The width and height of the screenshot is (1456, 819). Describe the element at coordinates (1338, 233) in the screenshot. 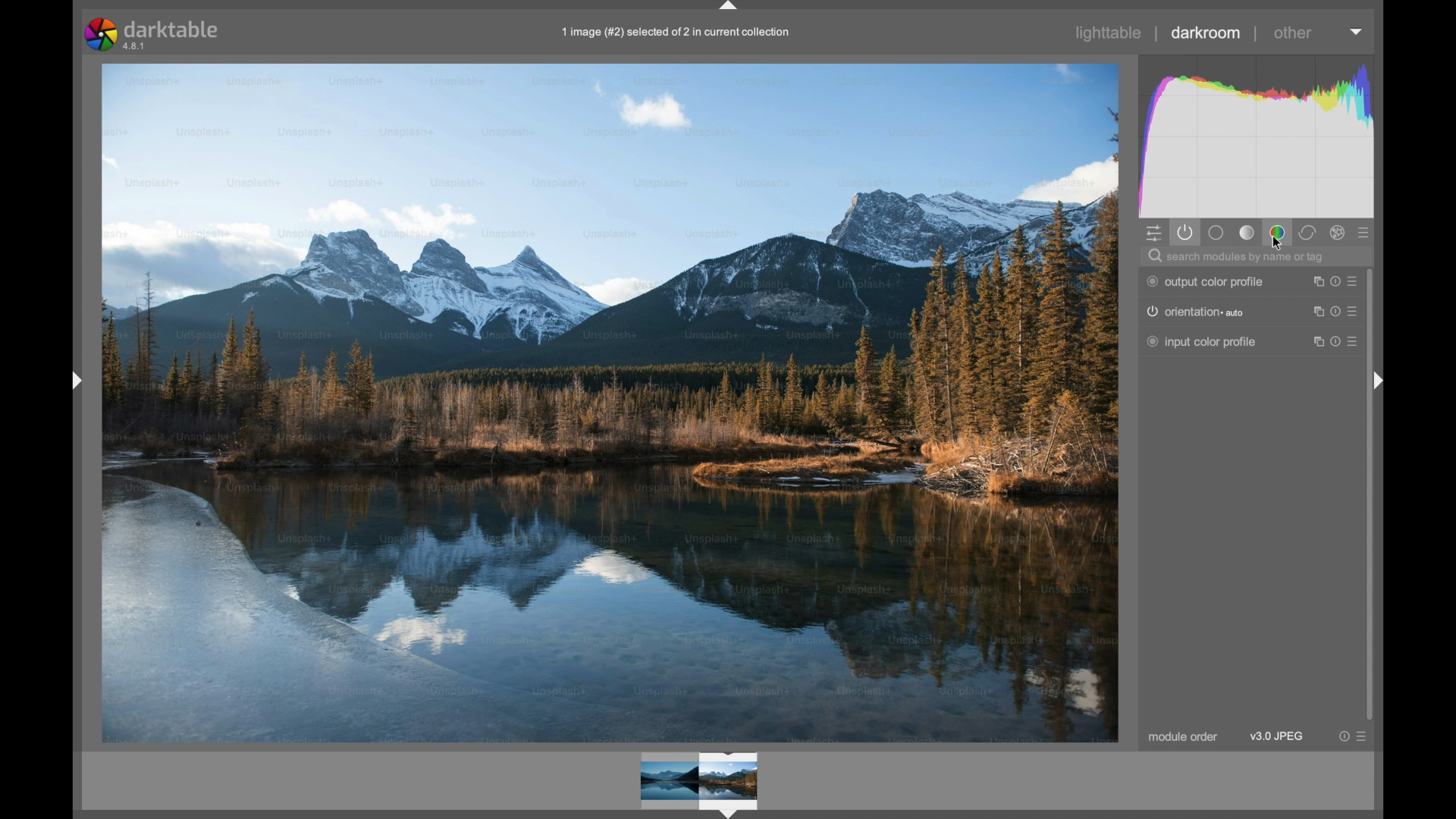

I see `effect` at that location.